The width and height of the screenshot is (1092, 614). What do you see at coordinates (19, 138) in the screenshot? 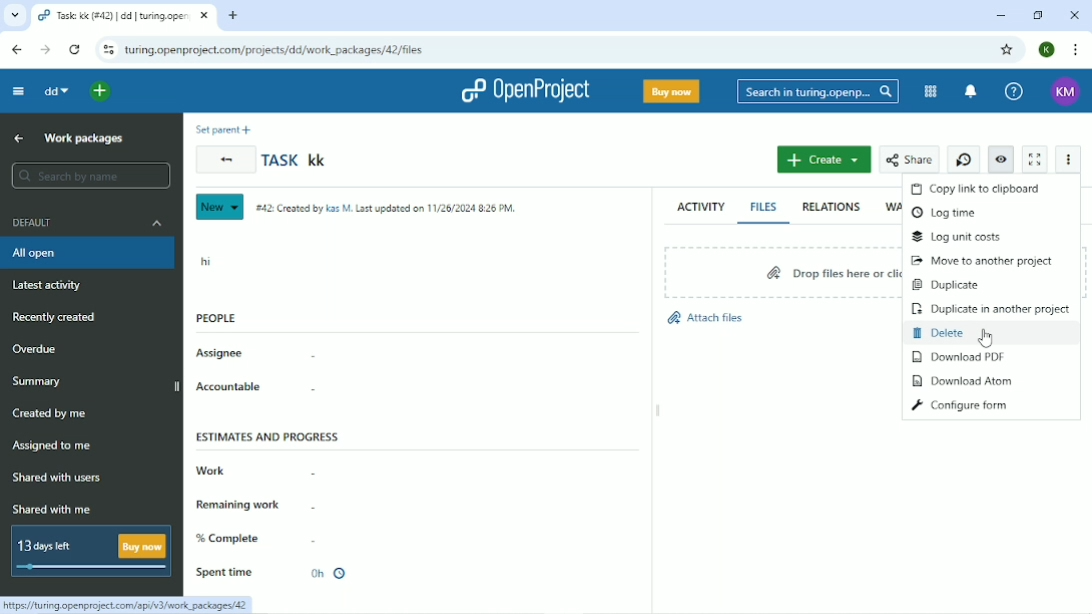
I see `Up` at bounding box center [19, 138].